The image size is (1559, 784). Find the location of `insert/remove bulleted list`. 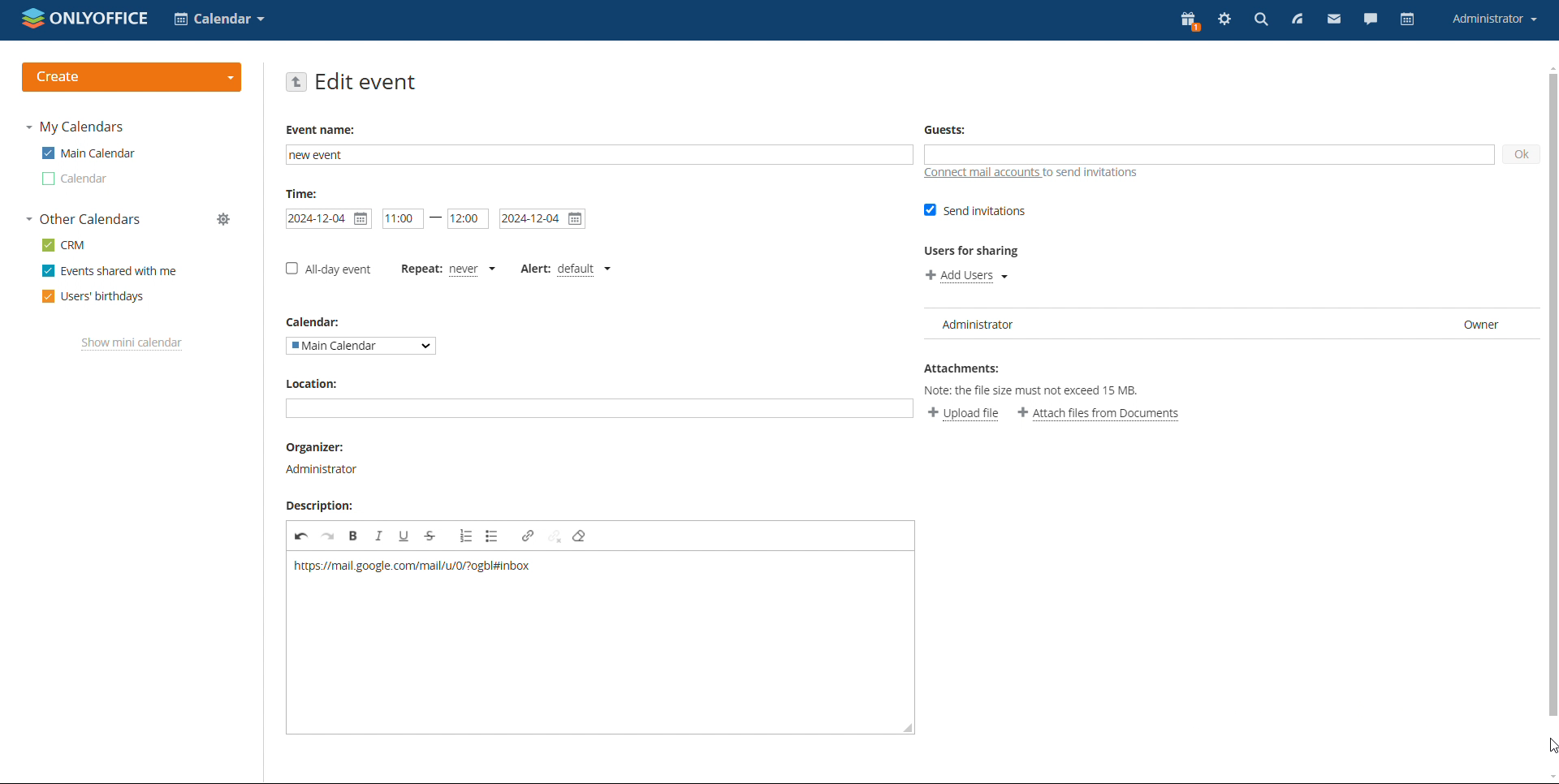

insert/remove bulleted list is located at coordinates (493, 536).